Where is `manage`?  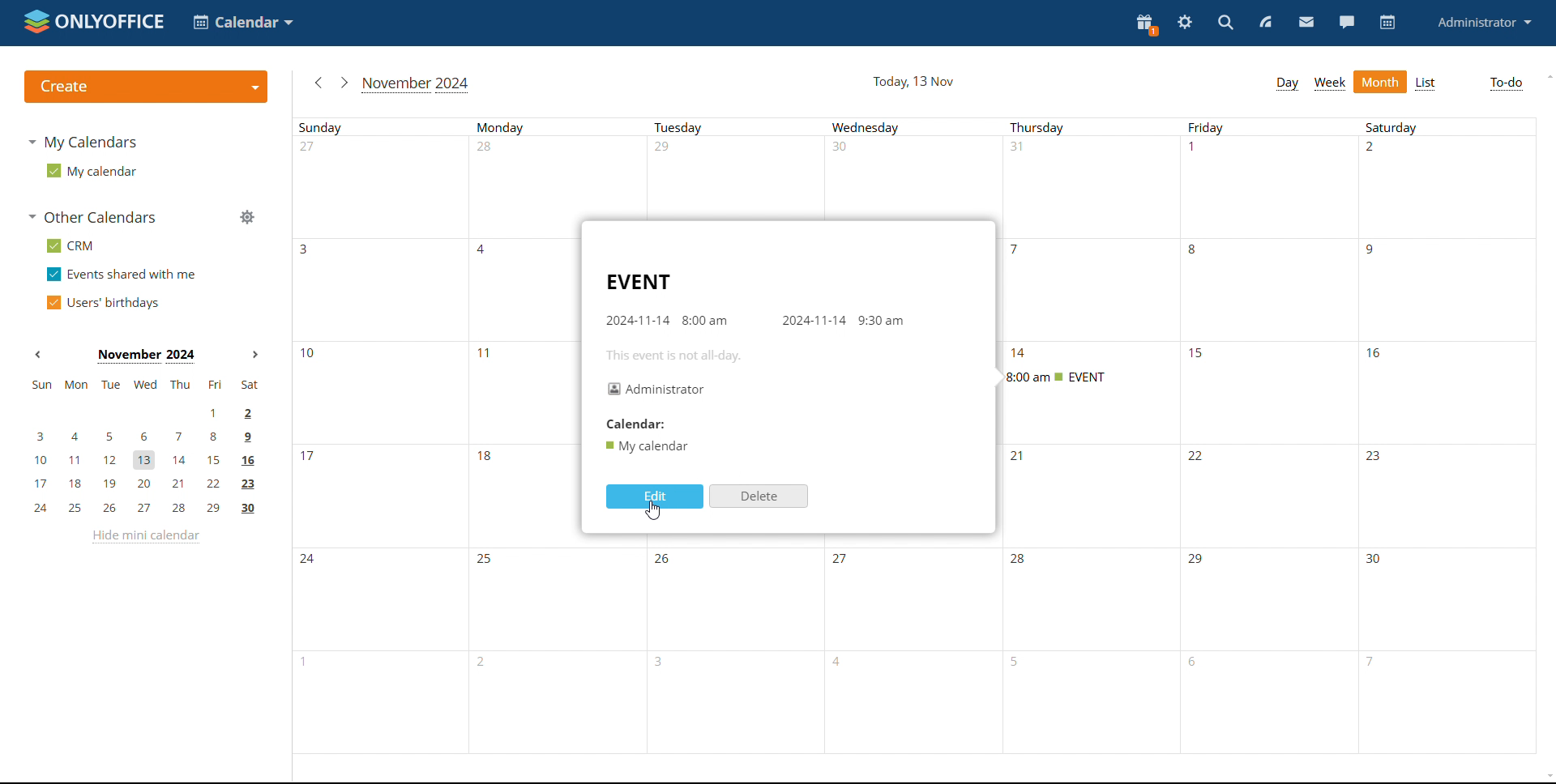
manage is located at coordinates (246, 218).